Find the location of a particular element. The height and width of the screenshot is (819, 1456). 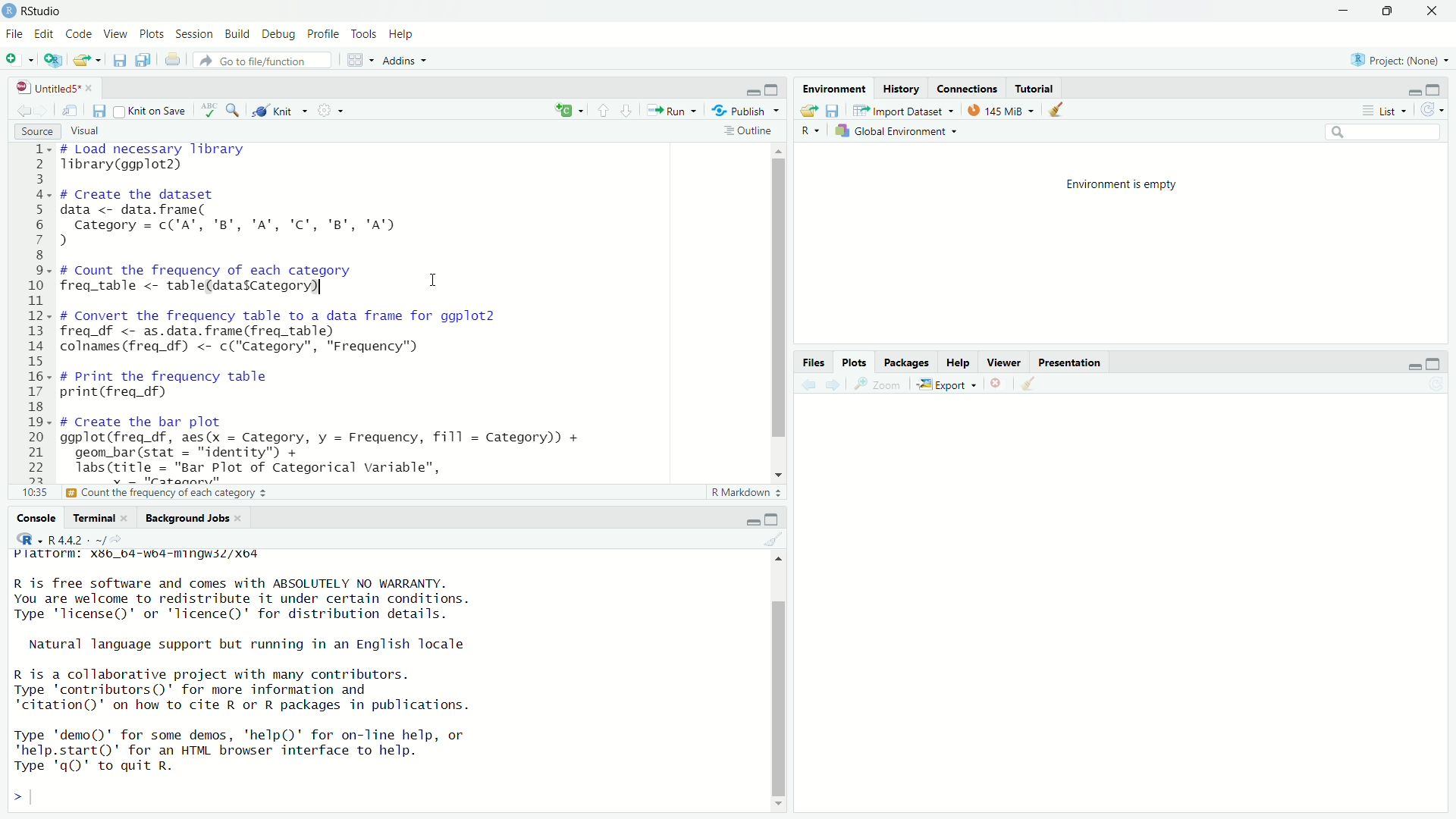

history is located at coordinates (903, 89).